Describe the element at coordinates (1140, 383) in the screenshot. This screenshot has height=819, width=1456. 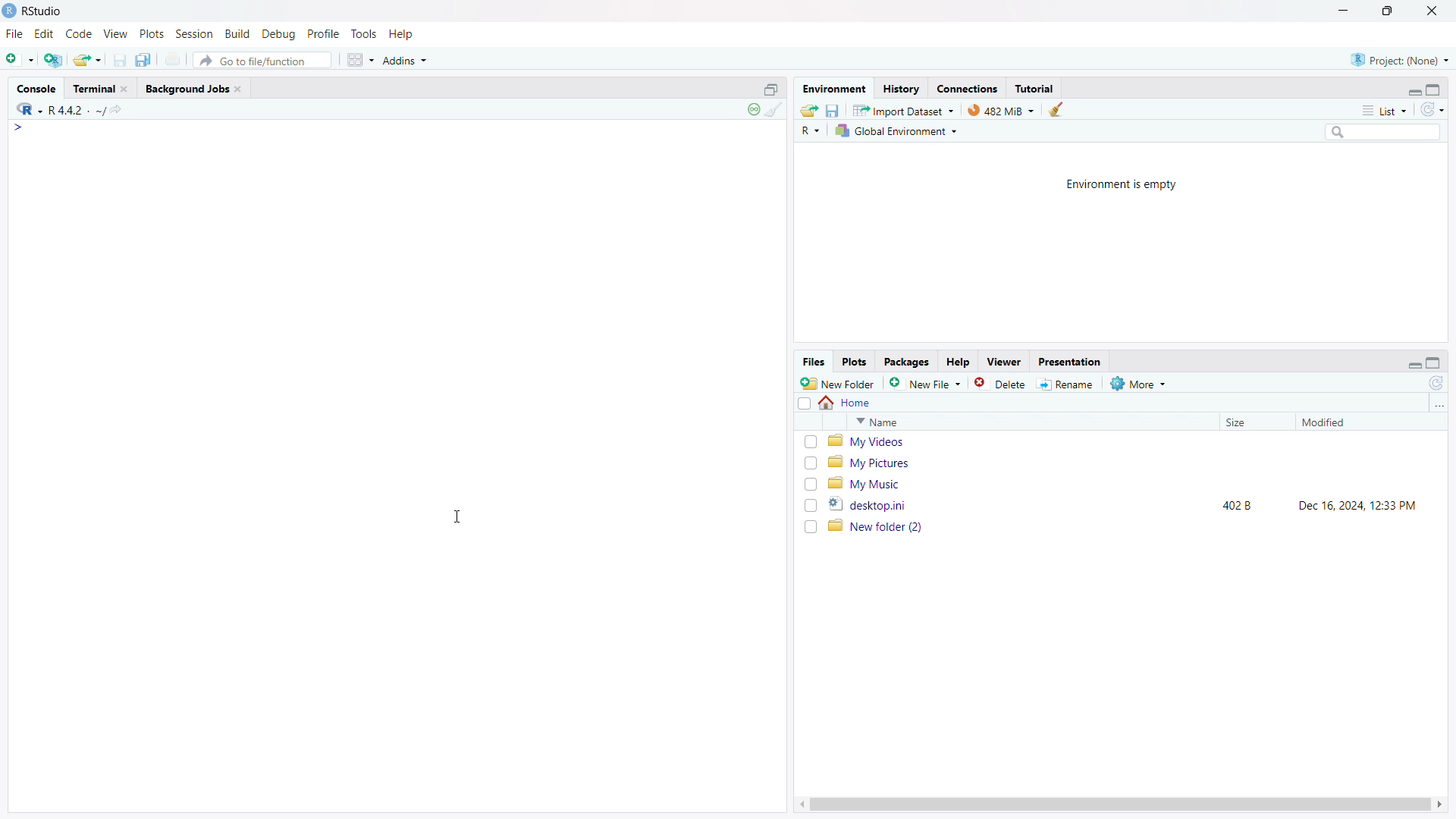
I see `more` at that location.